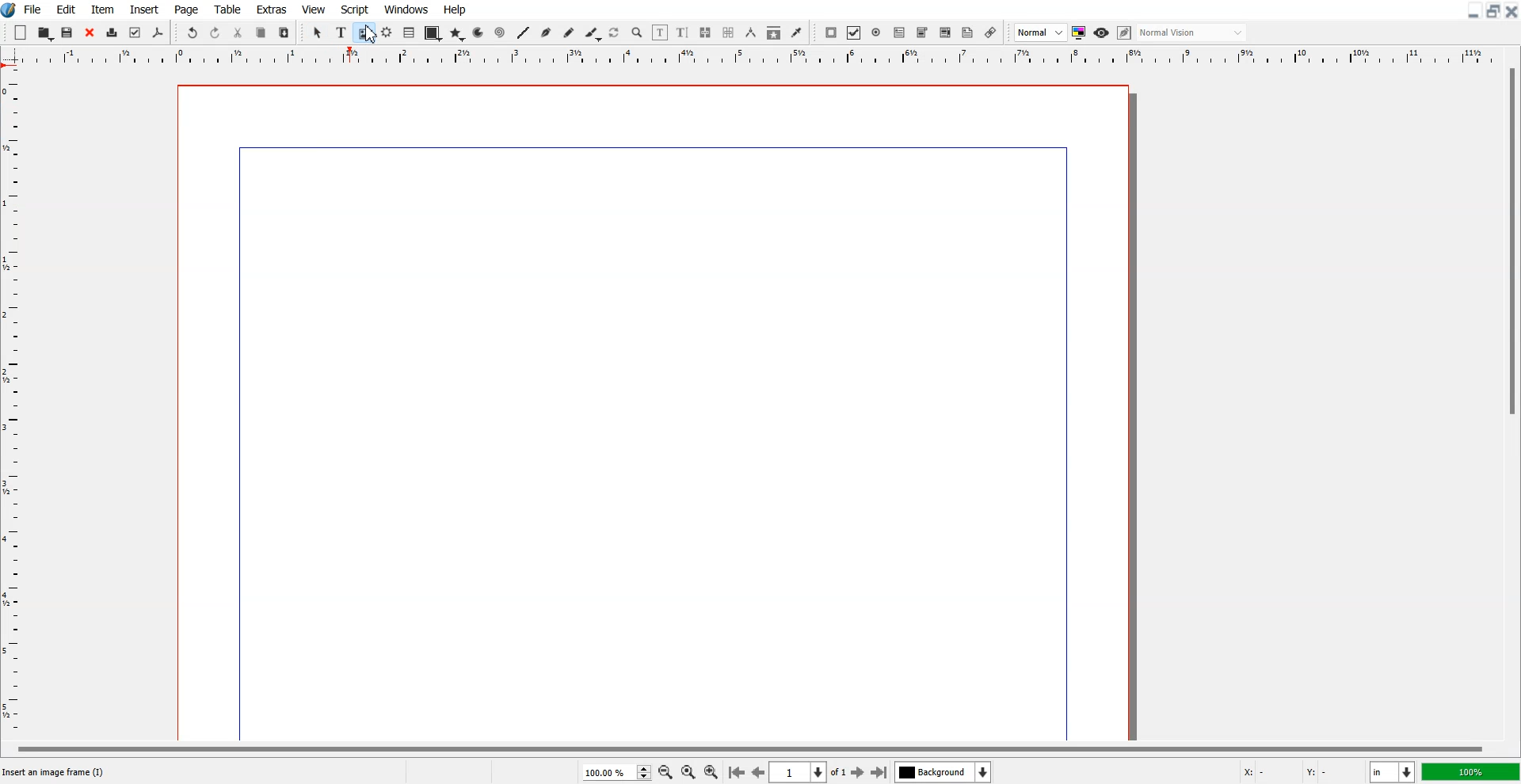 The image size is (1521, 784). I want to click on Link Text frame, so click(705, 32).